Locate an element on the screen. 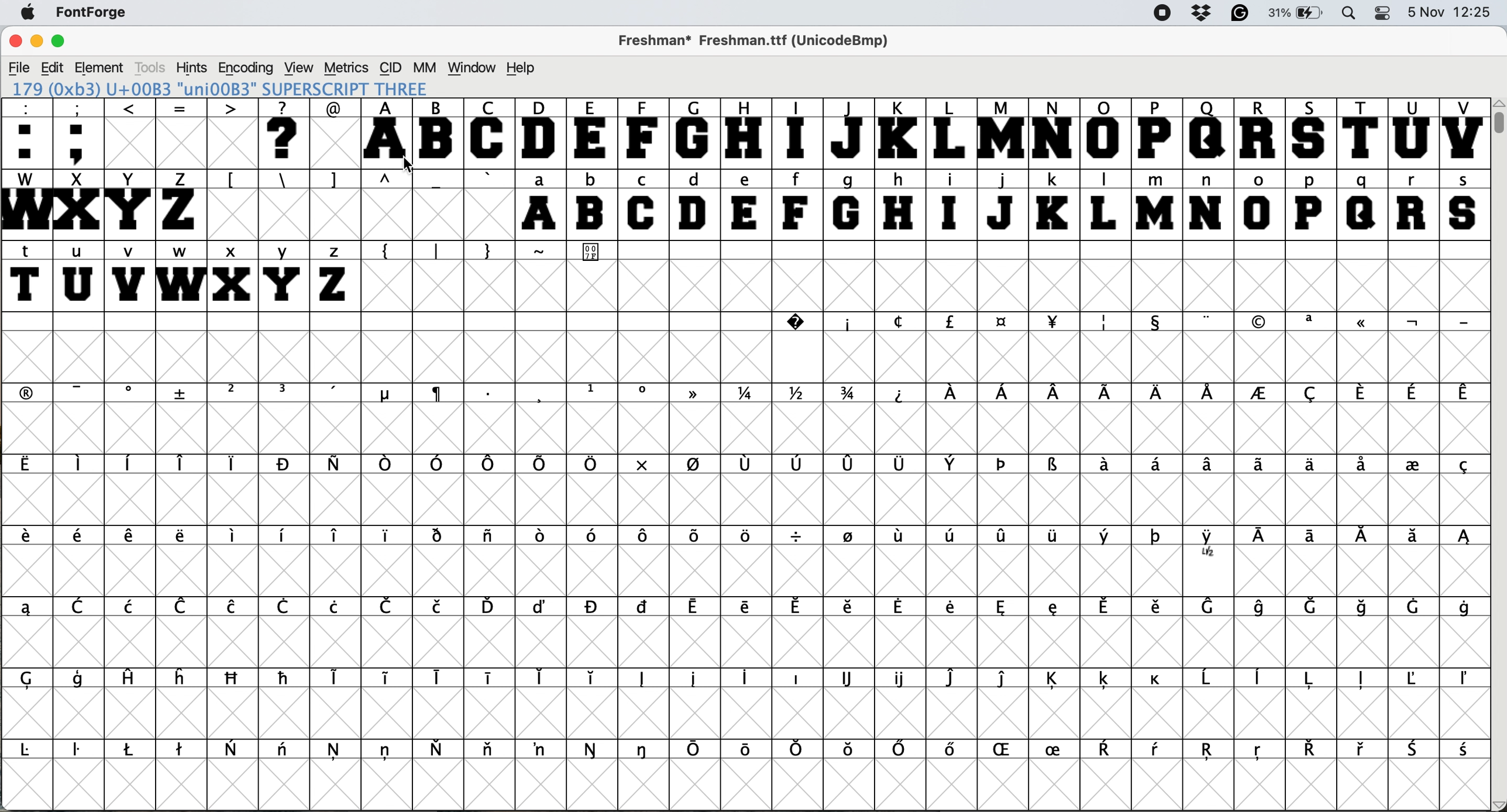 The width and height of the screenshot is (1507, 812). symbol is located at coordinates (1007, 751).